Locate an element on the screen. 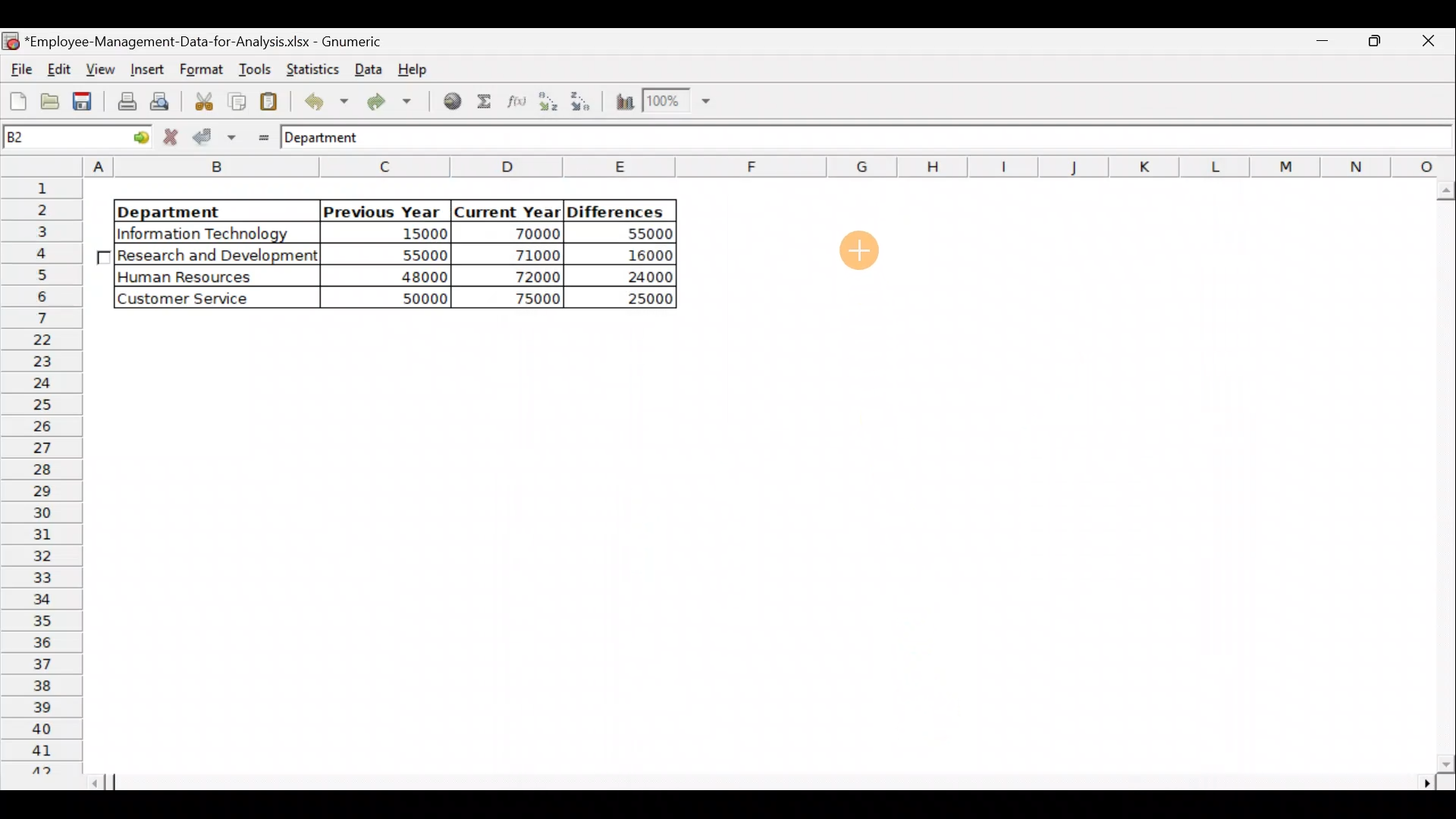 The image size is (1456, 819). Save the current workbook is located at coordinates (83, 102).